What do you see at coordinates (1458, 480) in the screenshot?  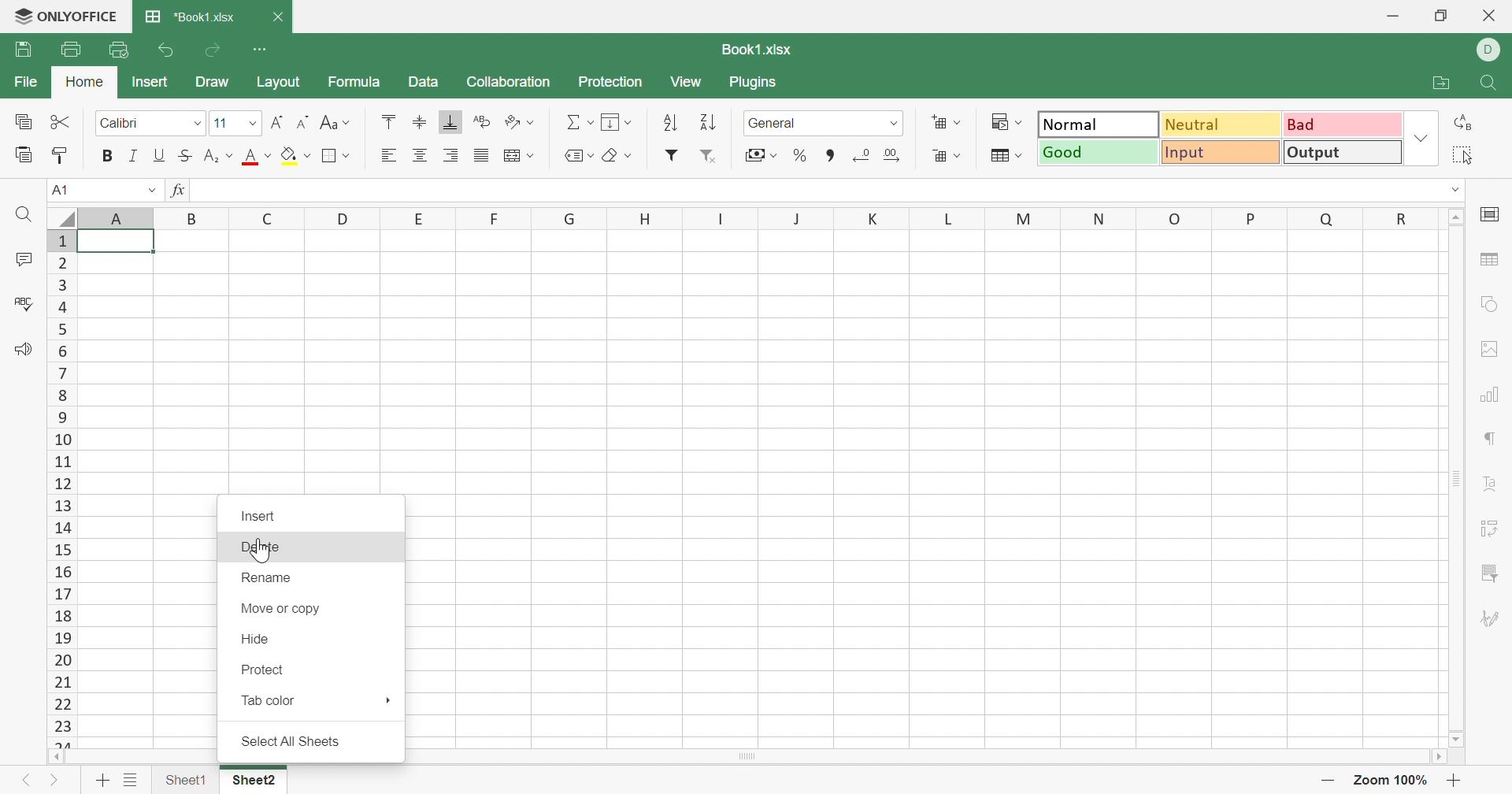 I see `Scroll Bar` at bounding box center [1458, 480].